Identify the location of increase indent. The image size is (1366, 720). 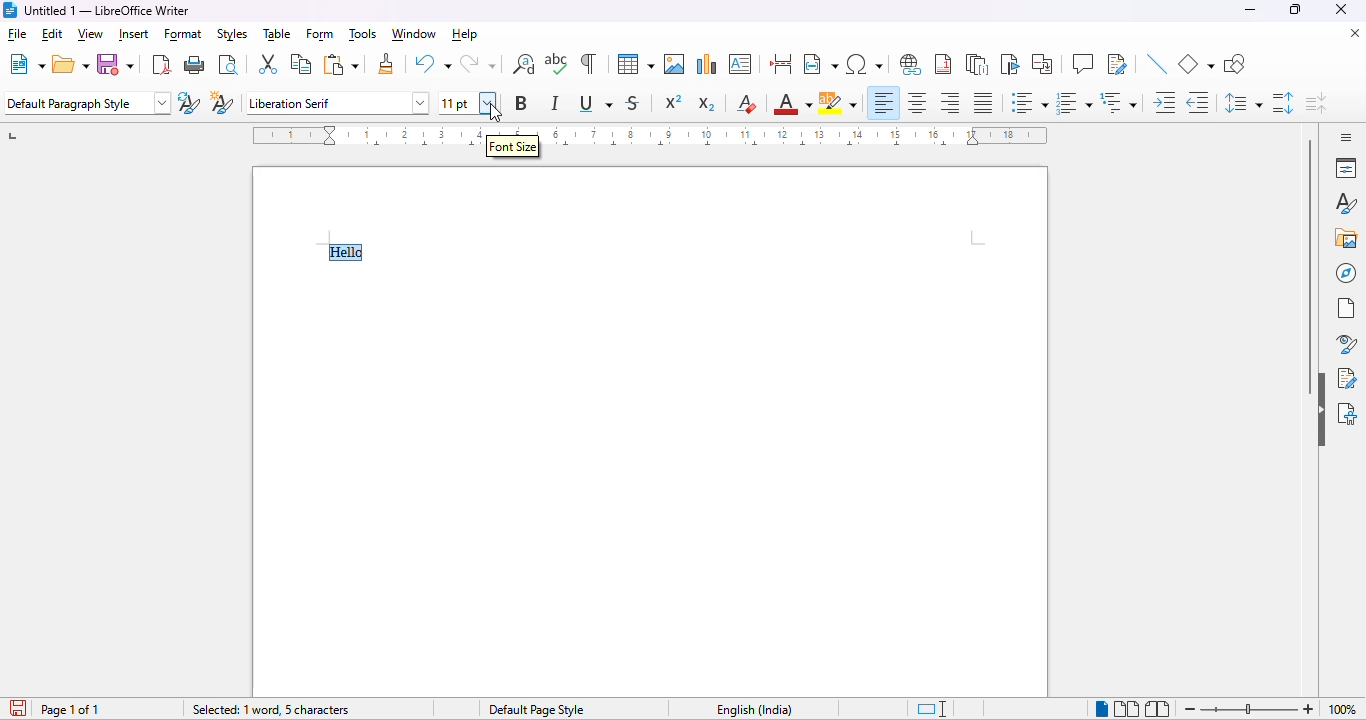
(1165, 103).